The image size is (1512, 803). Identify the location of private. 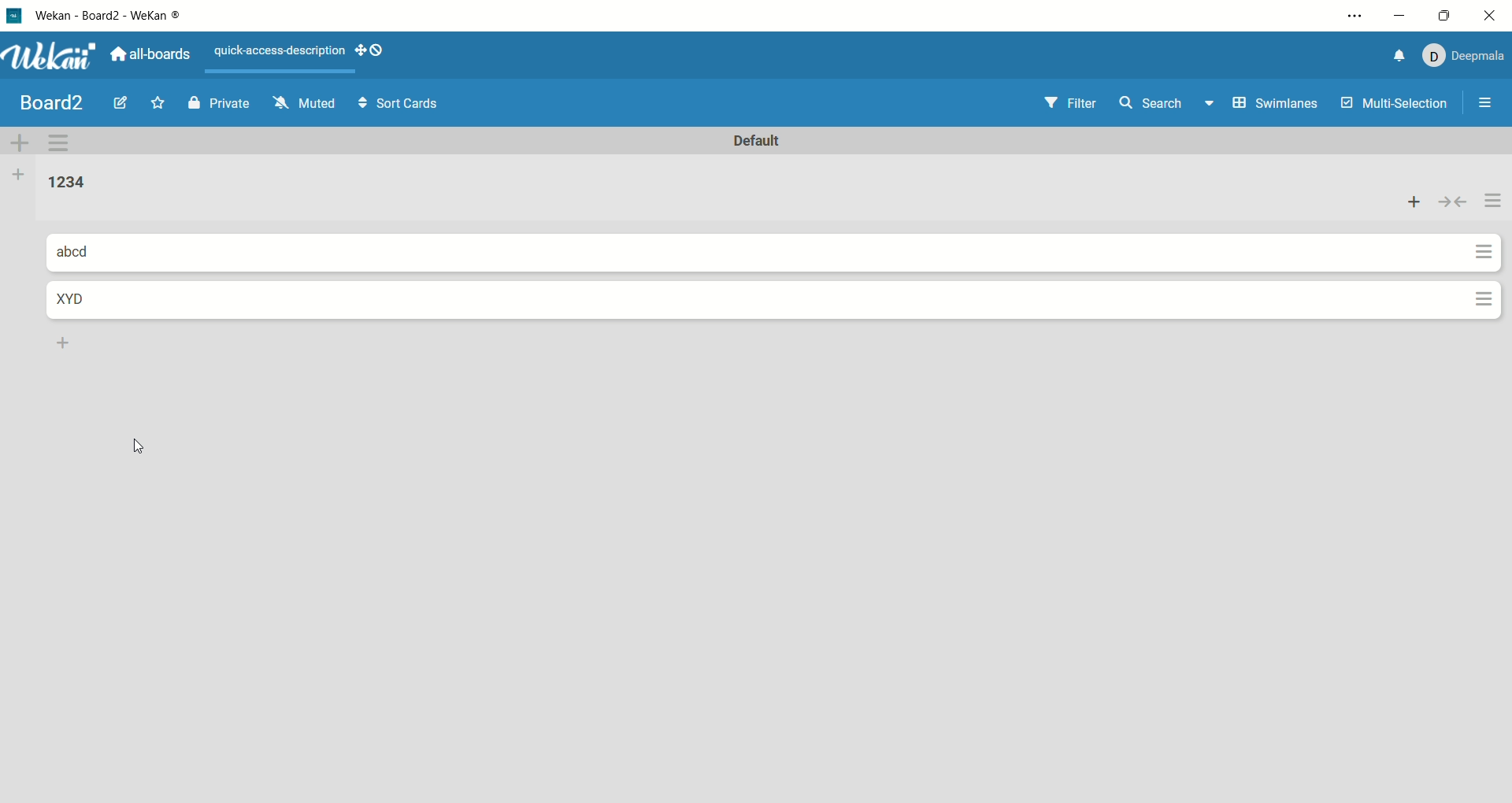
(217, 101).